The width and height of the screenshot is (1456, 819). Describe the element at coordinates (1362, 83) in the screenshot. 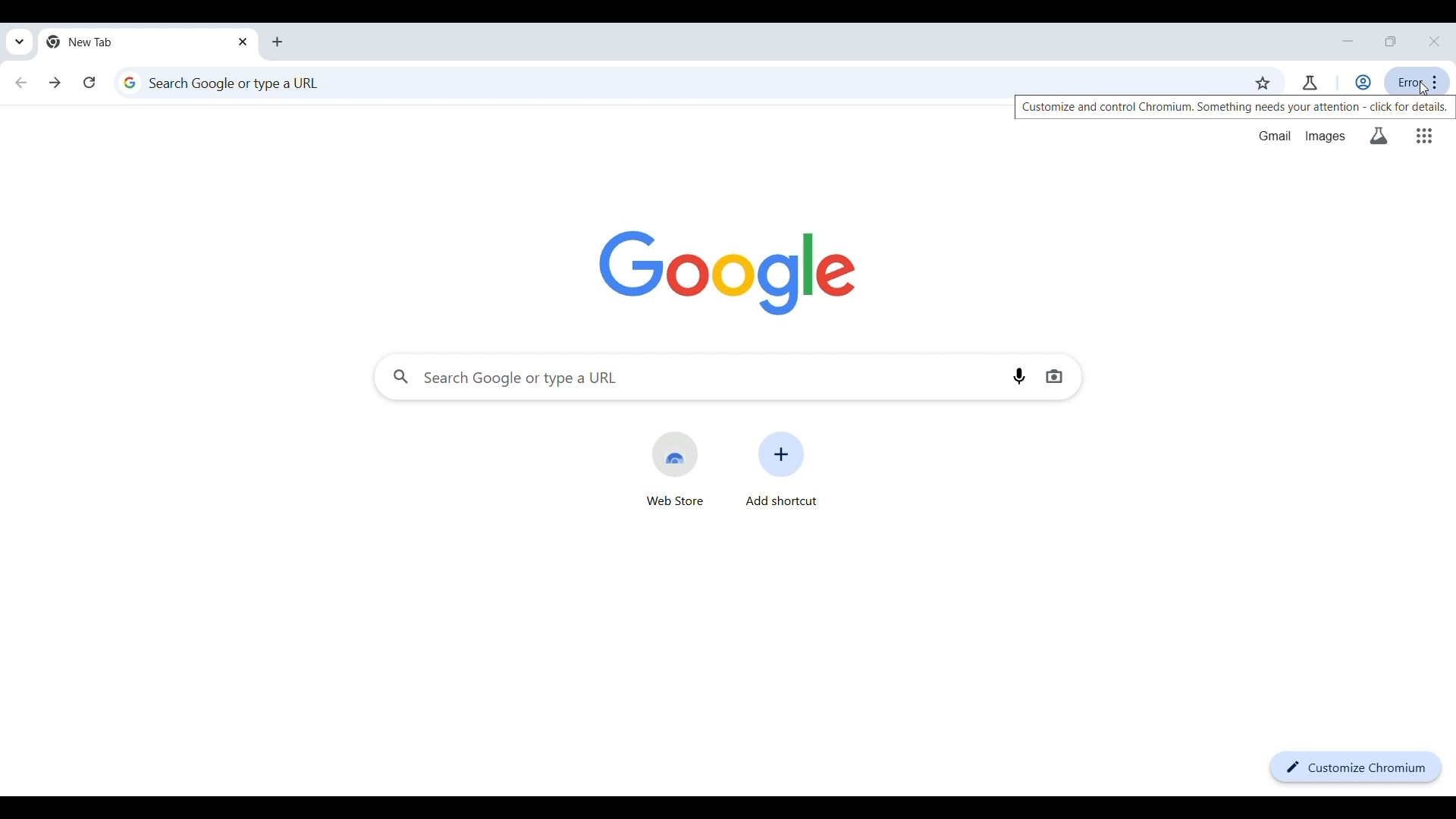

I see `Account` at that location.